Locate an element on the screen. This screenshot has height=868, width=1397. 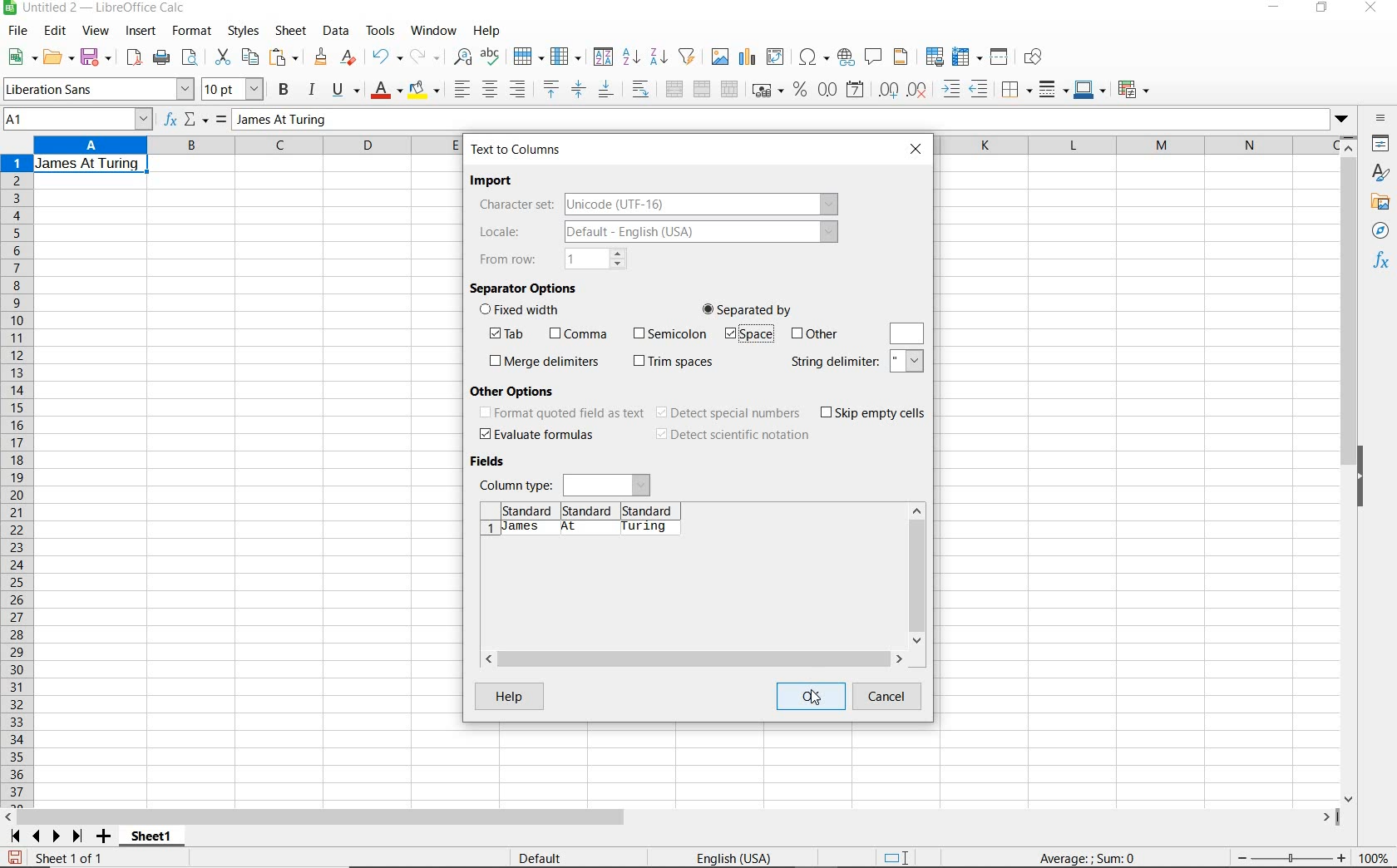
detect special numbers is located at coordinates (729, 413).